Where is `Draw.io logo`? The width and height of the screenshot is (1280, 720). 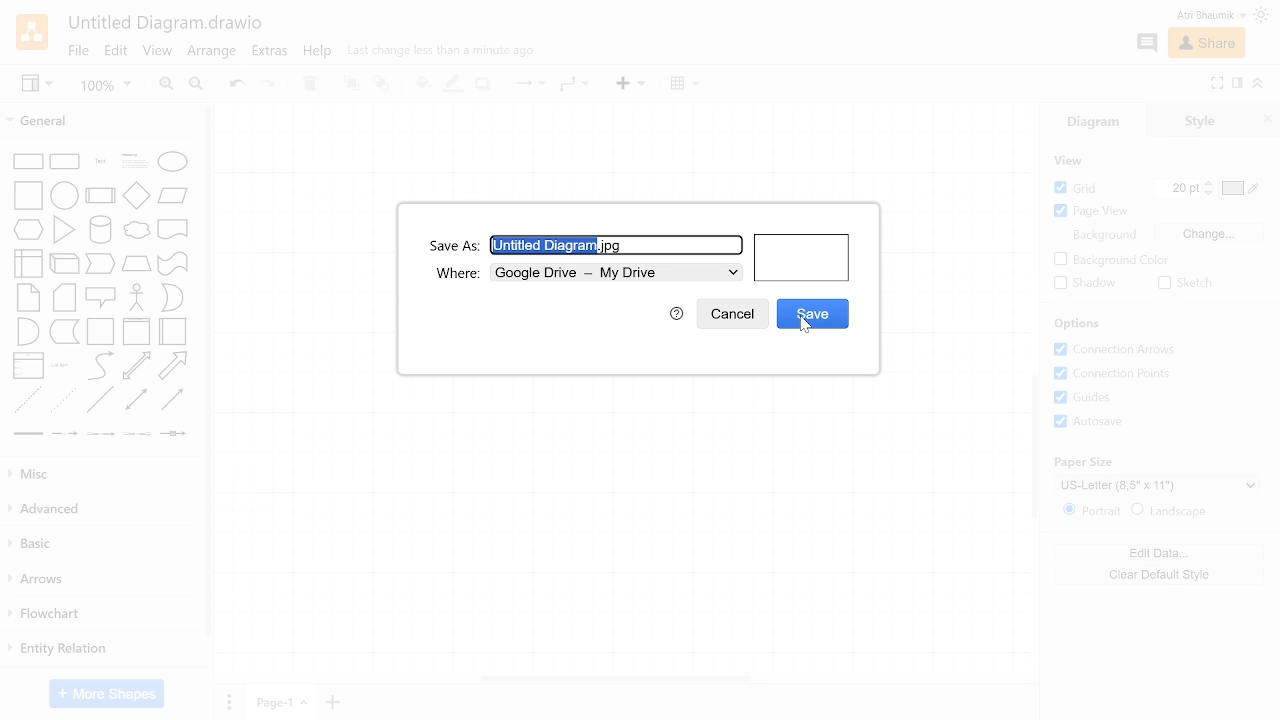
Draw.io logo is located at coordinates (34, 31).